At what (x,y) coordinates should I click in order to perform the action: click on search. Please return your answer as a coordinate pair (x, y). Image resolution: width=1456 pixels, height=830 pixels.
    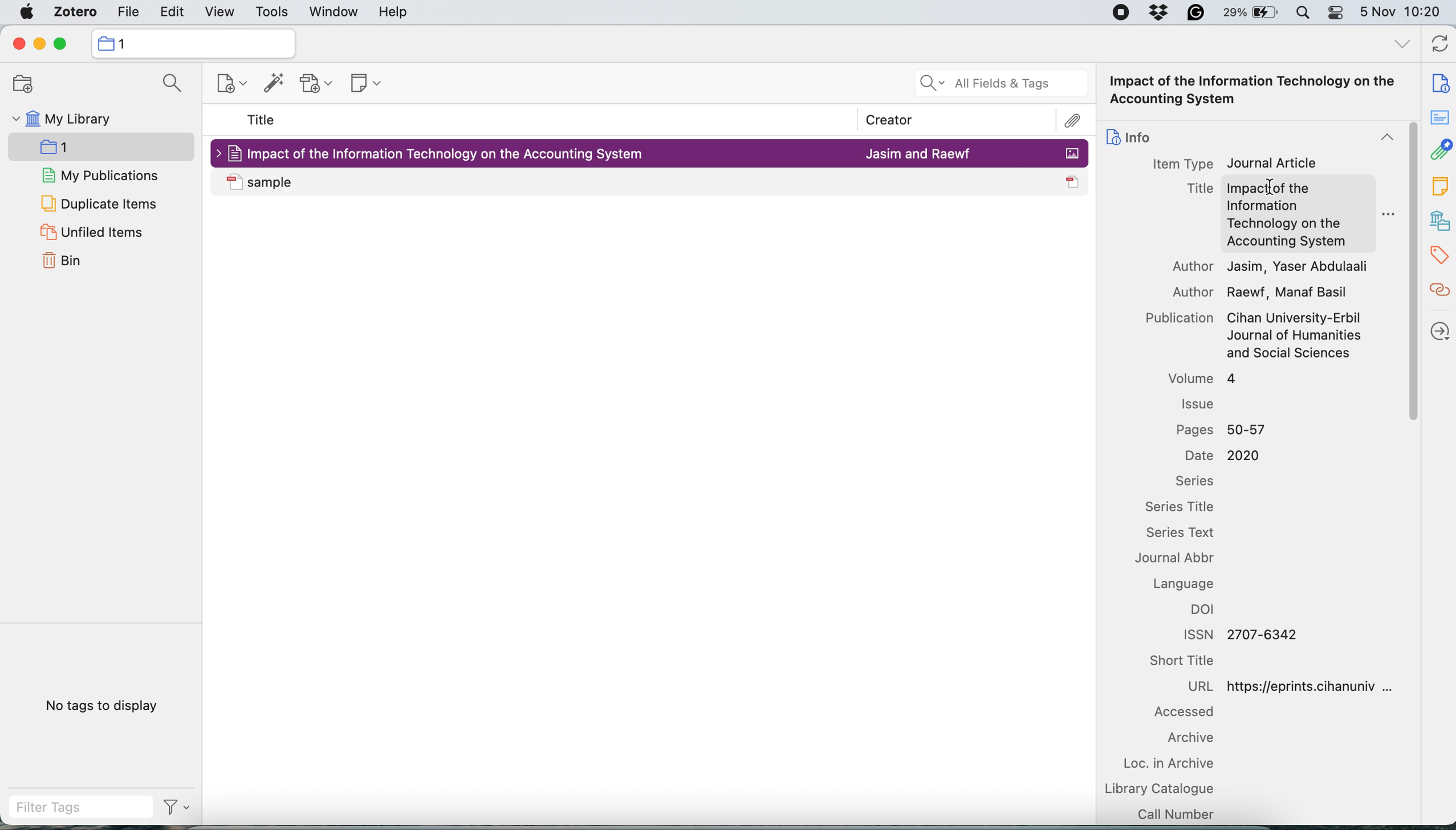
    Looking at the image, I should click on (174, 83).